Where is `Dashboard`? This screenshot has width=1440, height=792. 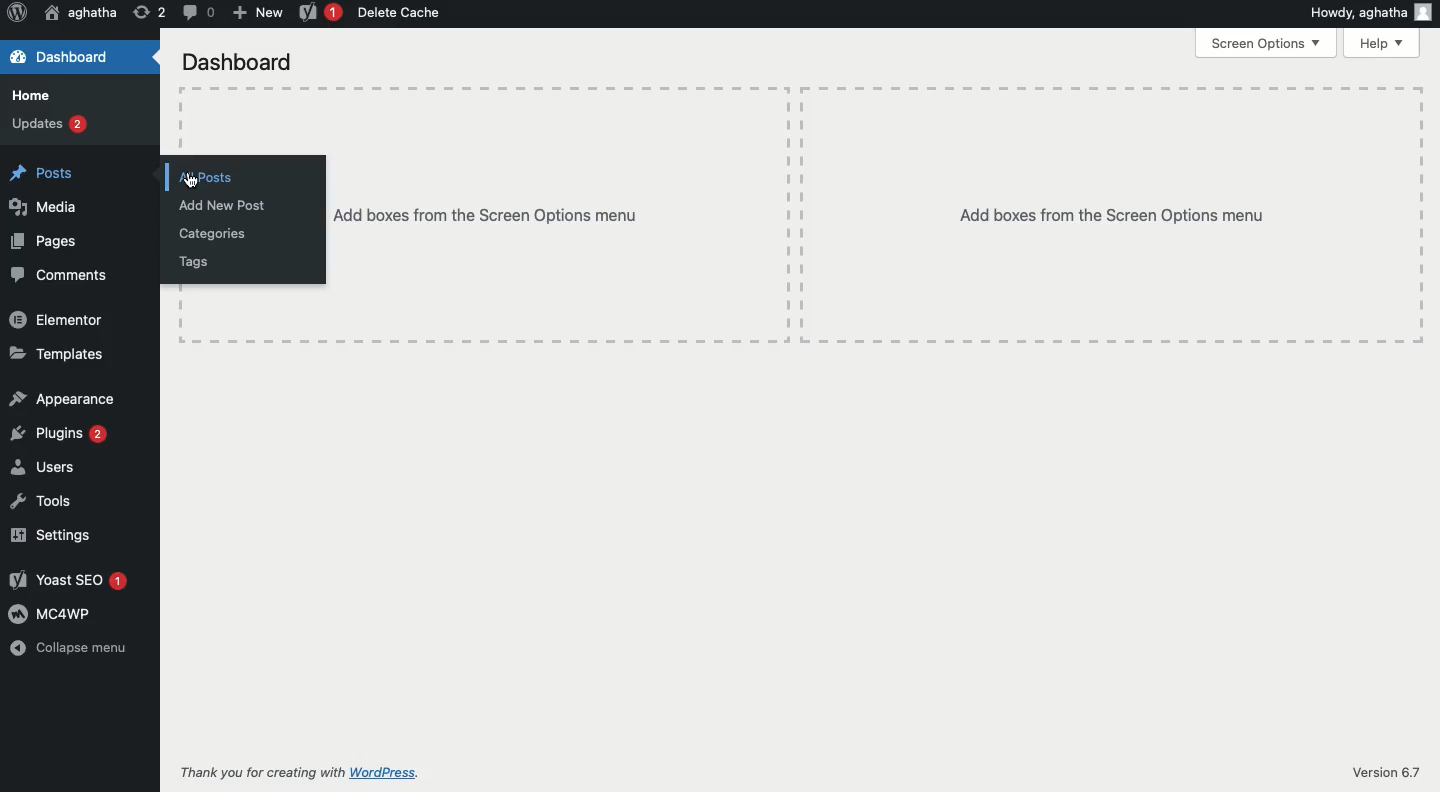 Dashboard is located at coordinates (239, 61).